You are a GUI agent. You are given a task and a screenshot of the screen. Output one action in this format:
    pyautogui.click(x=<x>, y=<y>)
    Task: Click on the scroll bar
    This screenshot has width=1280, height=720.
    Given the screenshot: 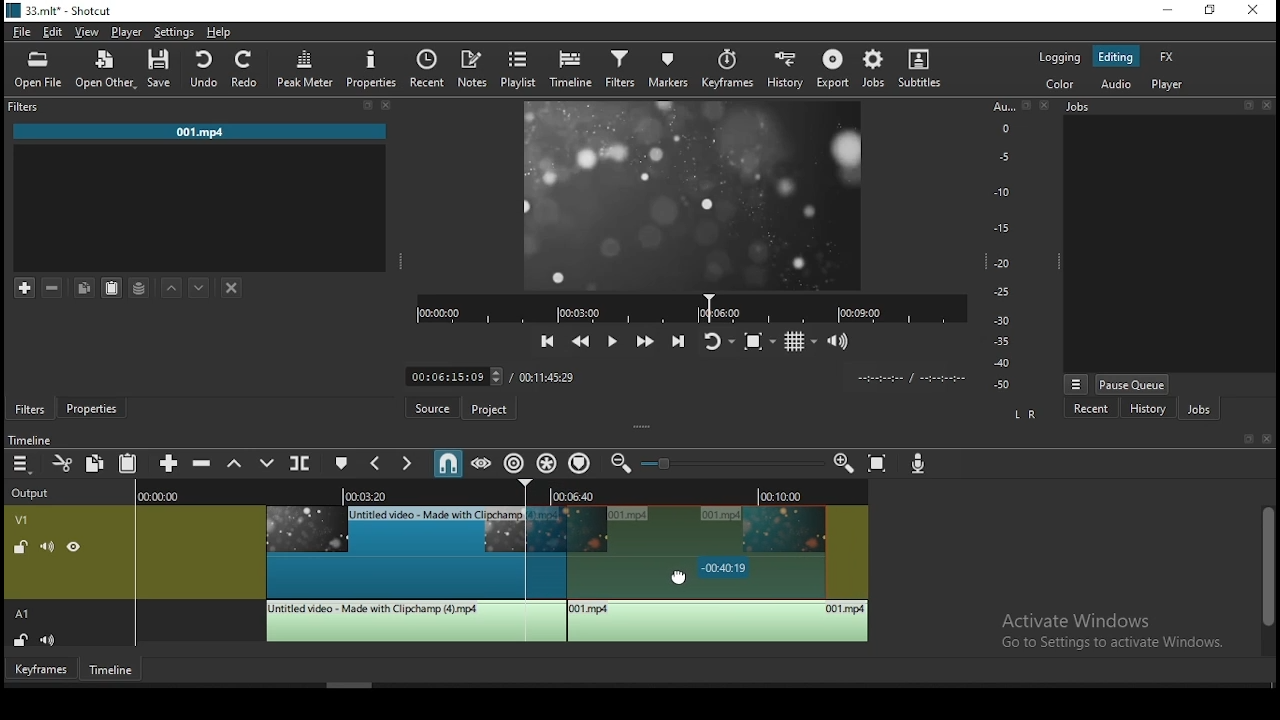 What is the action you would take?
    pyautogui.click(x=1266, y=580)
    